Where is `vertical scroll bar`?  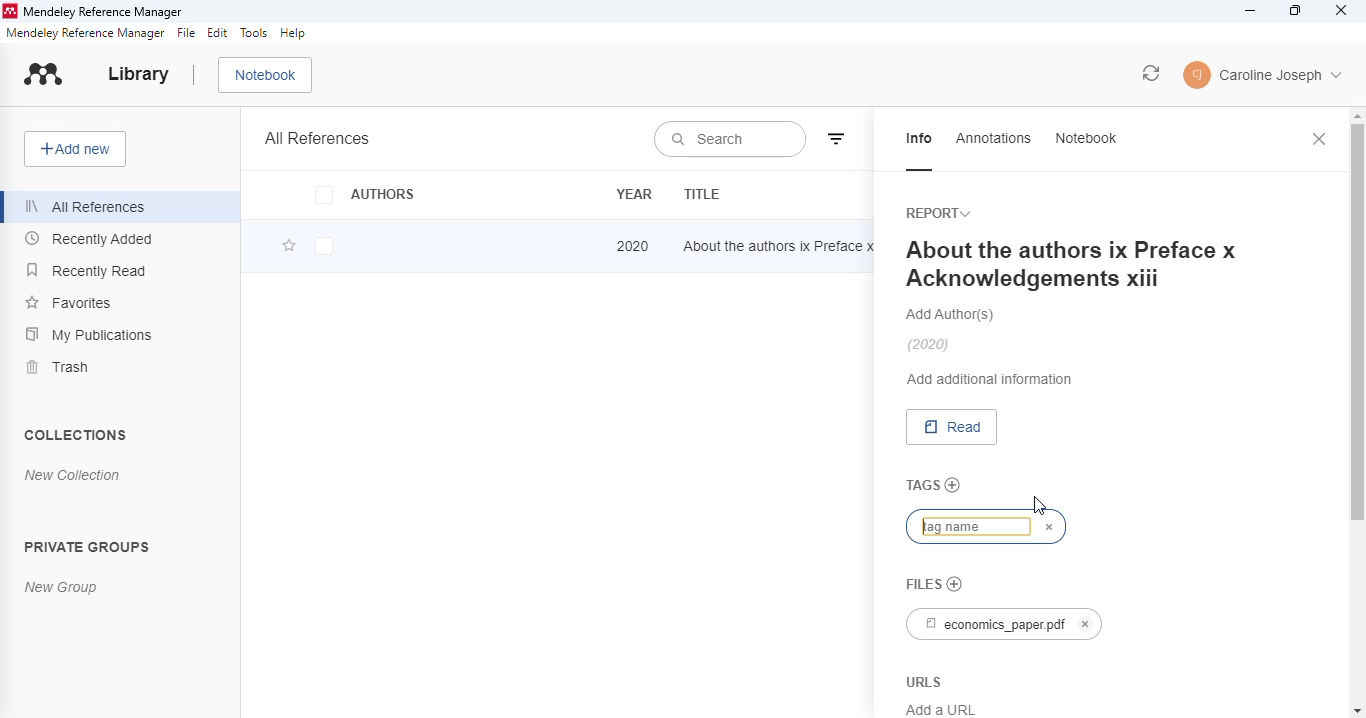
vertical scroll bar is located at coordinates (1356, 329).